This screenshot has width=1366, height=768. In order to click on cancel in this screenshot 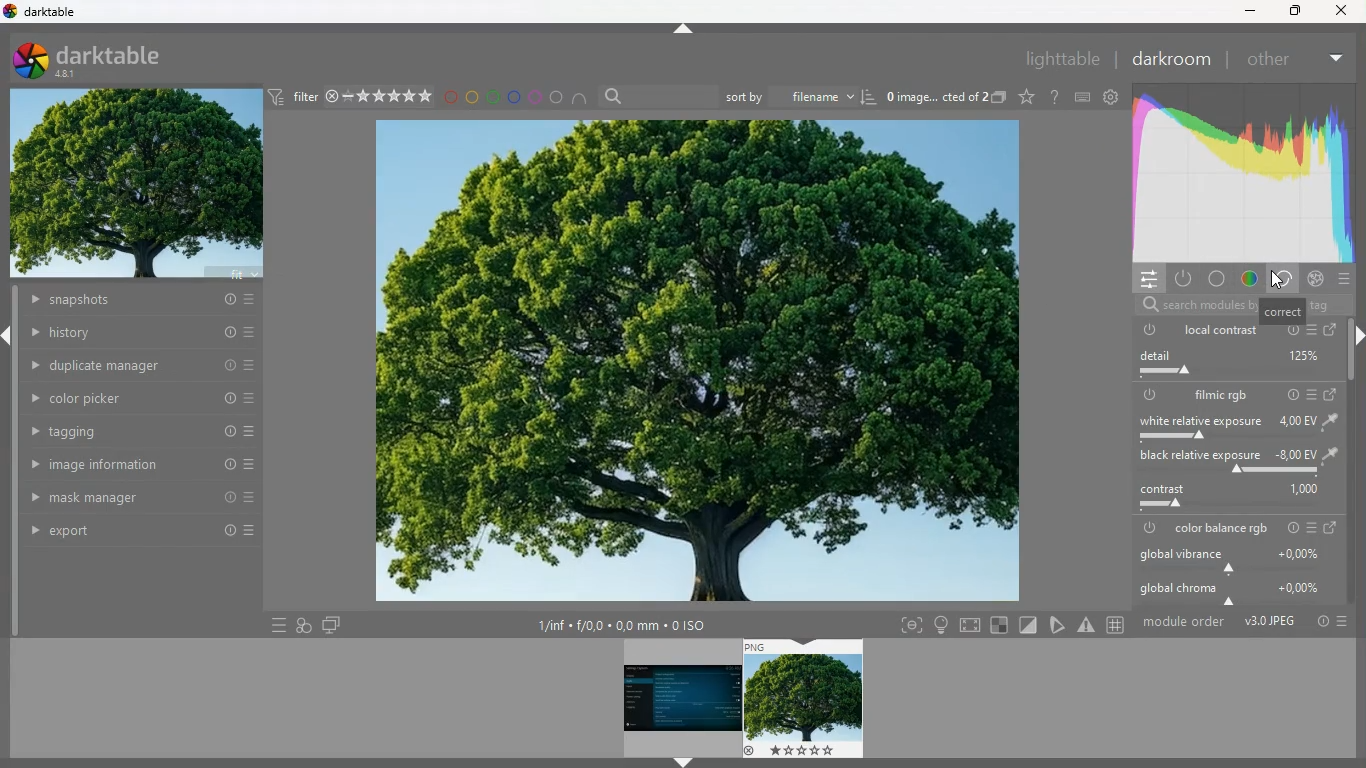, I will do `click(1316, 279)`.